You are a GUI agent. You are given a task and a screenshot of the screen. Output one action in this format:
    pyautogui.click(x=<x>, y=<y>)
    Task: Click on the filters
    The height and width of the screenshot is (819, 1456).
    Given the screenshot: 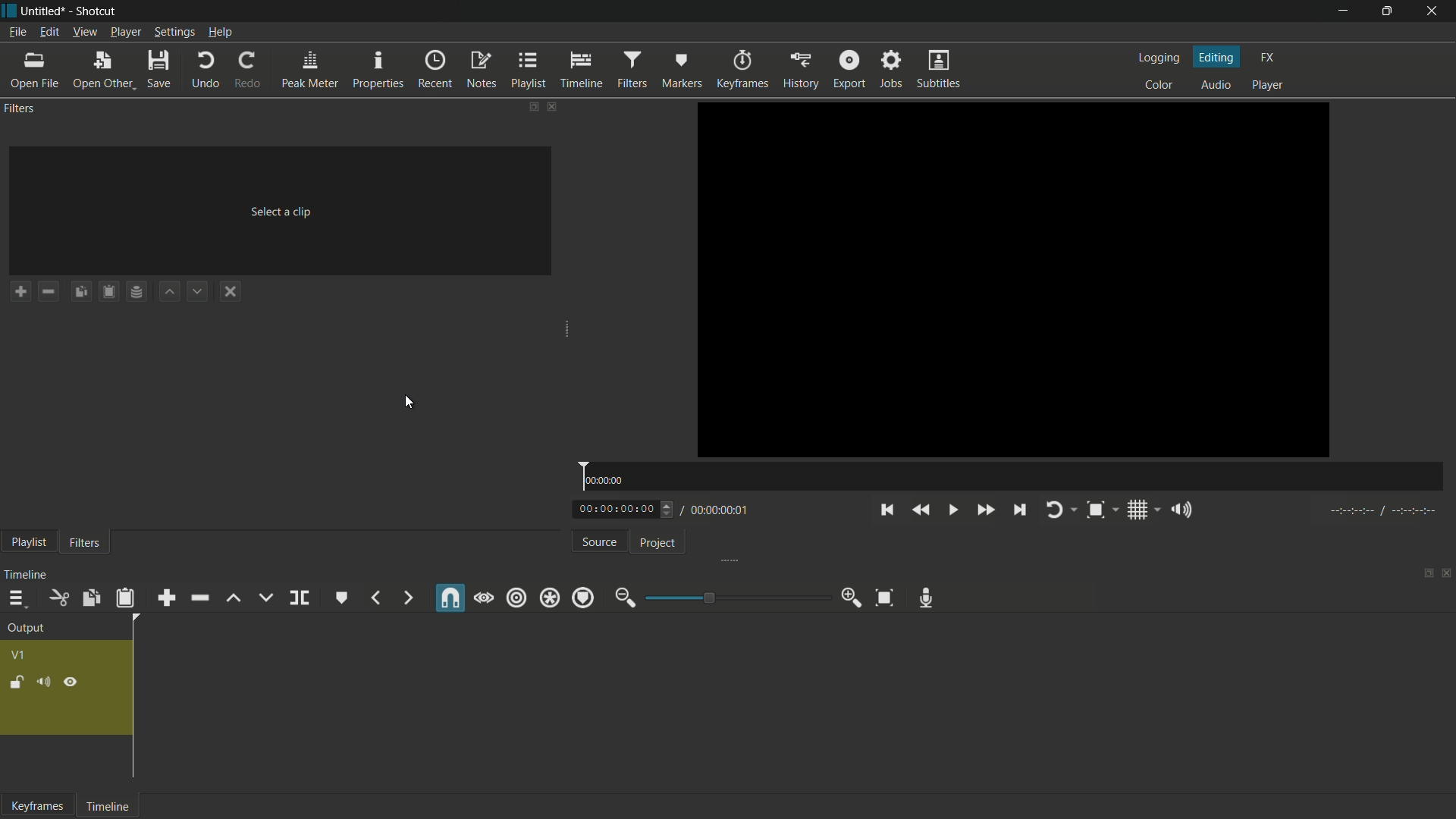 What is the action you would take?
    pyautogui.click(x=19, y=109)
    